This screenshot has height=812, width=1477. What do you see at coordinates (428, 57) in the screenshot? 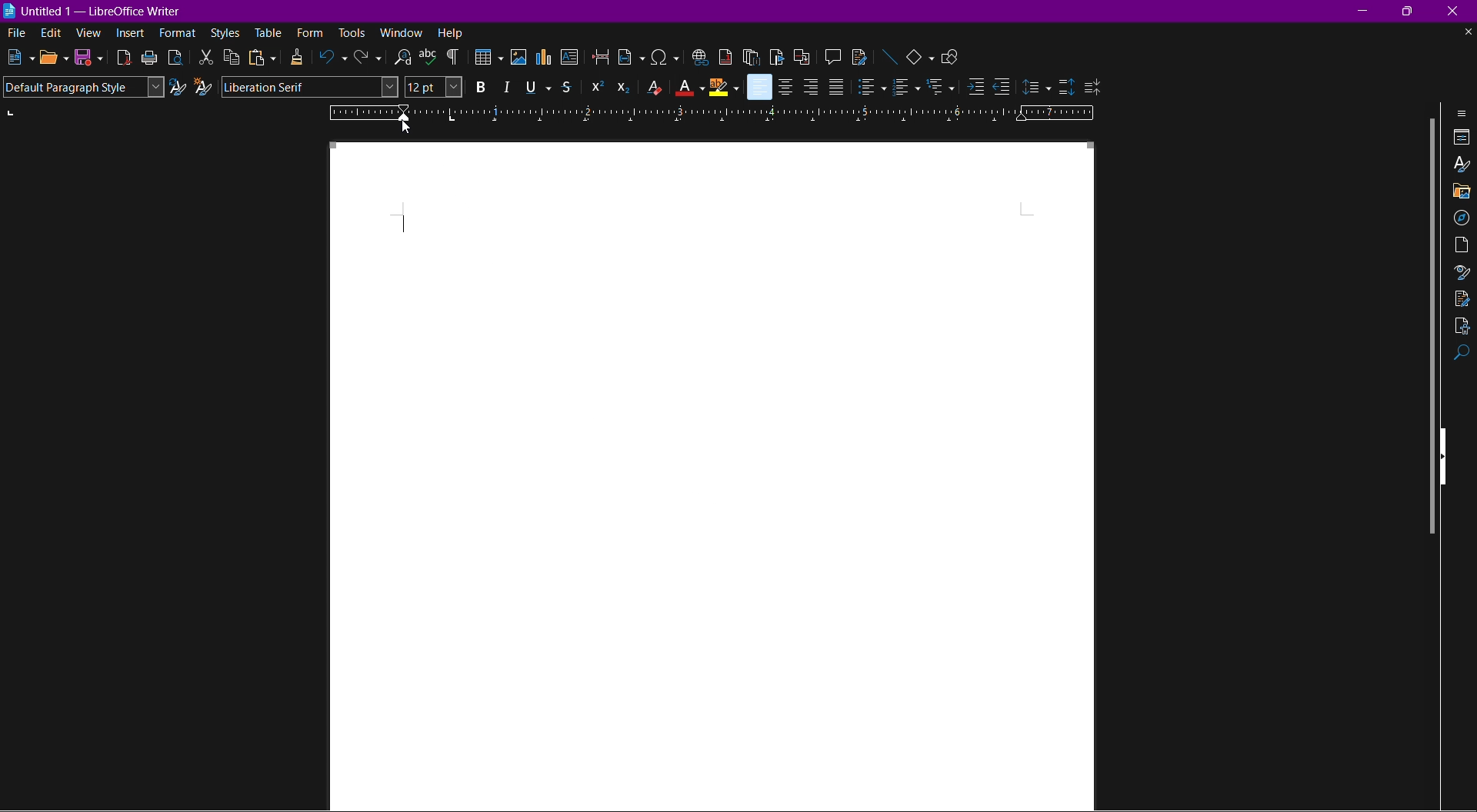
I see `Spellcheck` at bounding box center [428, 57].